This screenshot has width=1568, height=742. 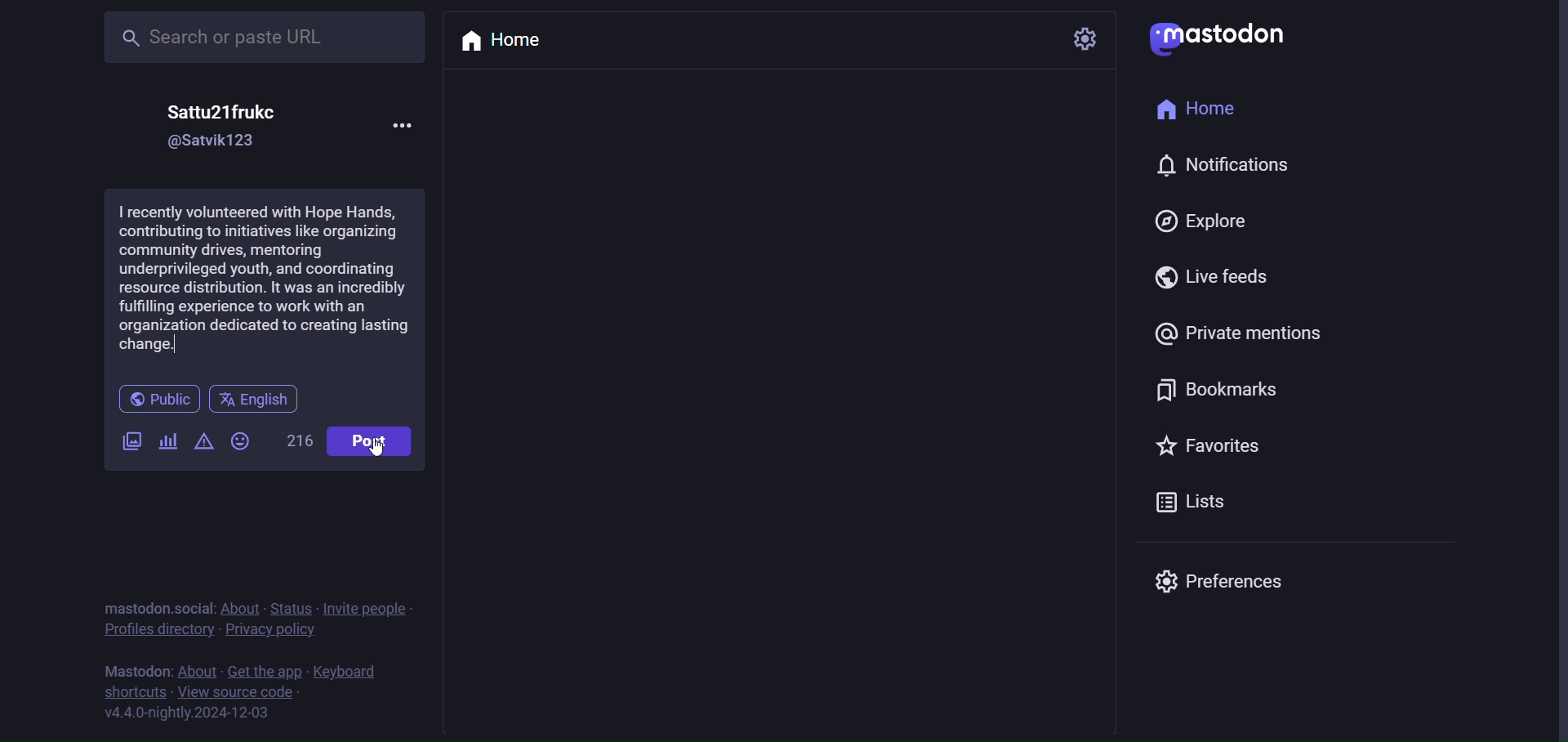 I want to click on preferences, so click(x=1225, y=579).